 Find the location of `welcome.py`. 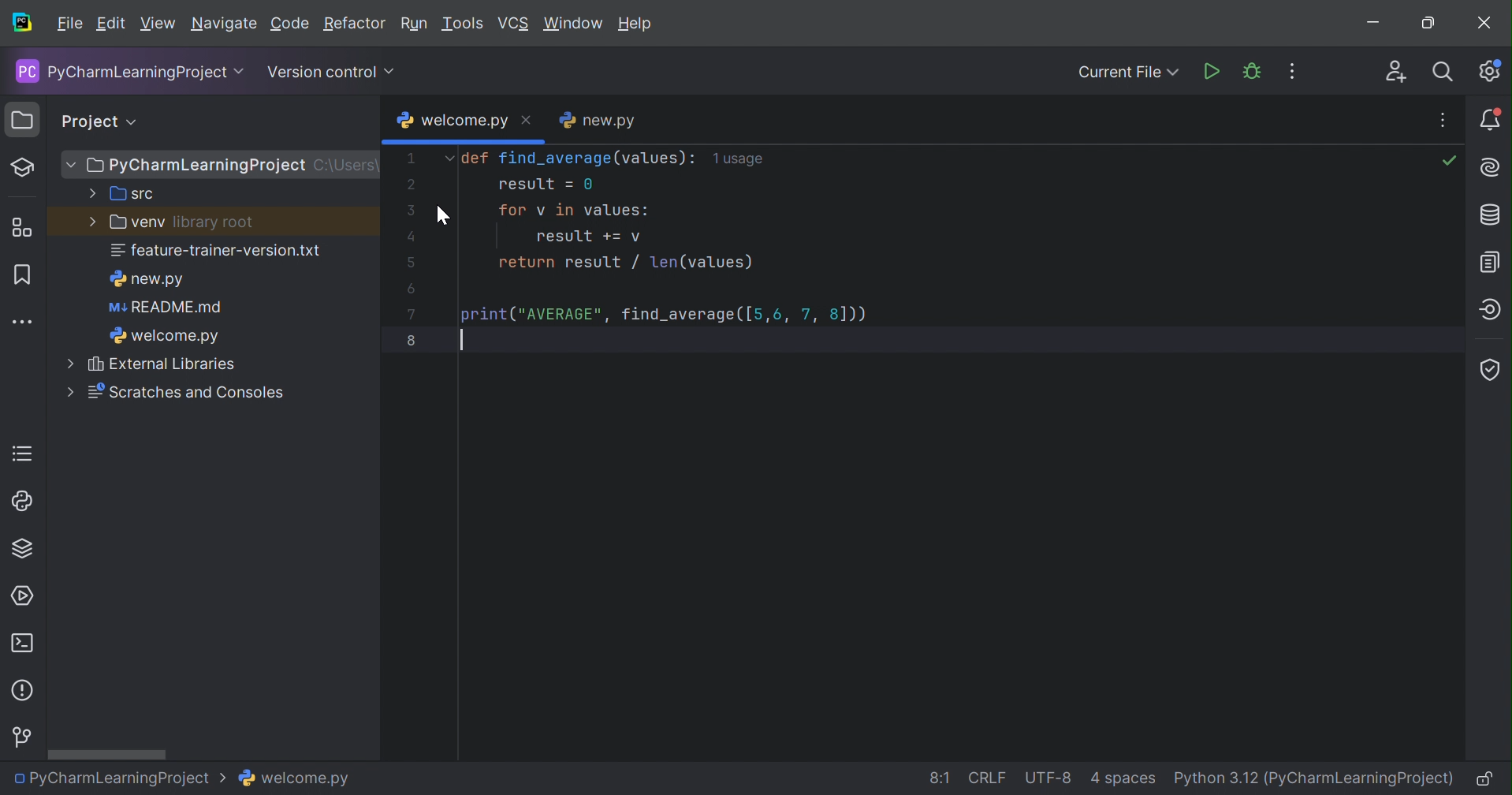

welcome.py is located at coordinates (167, 336).